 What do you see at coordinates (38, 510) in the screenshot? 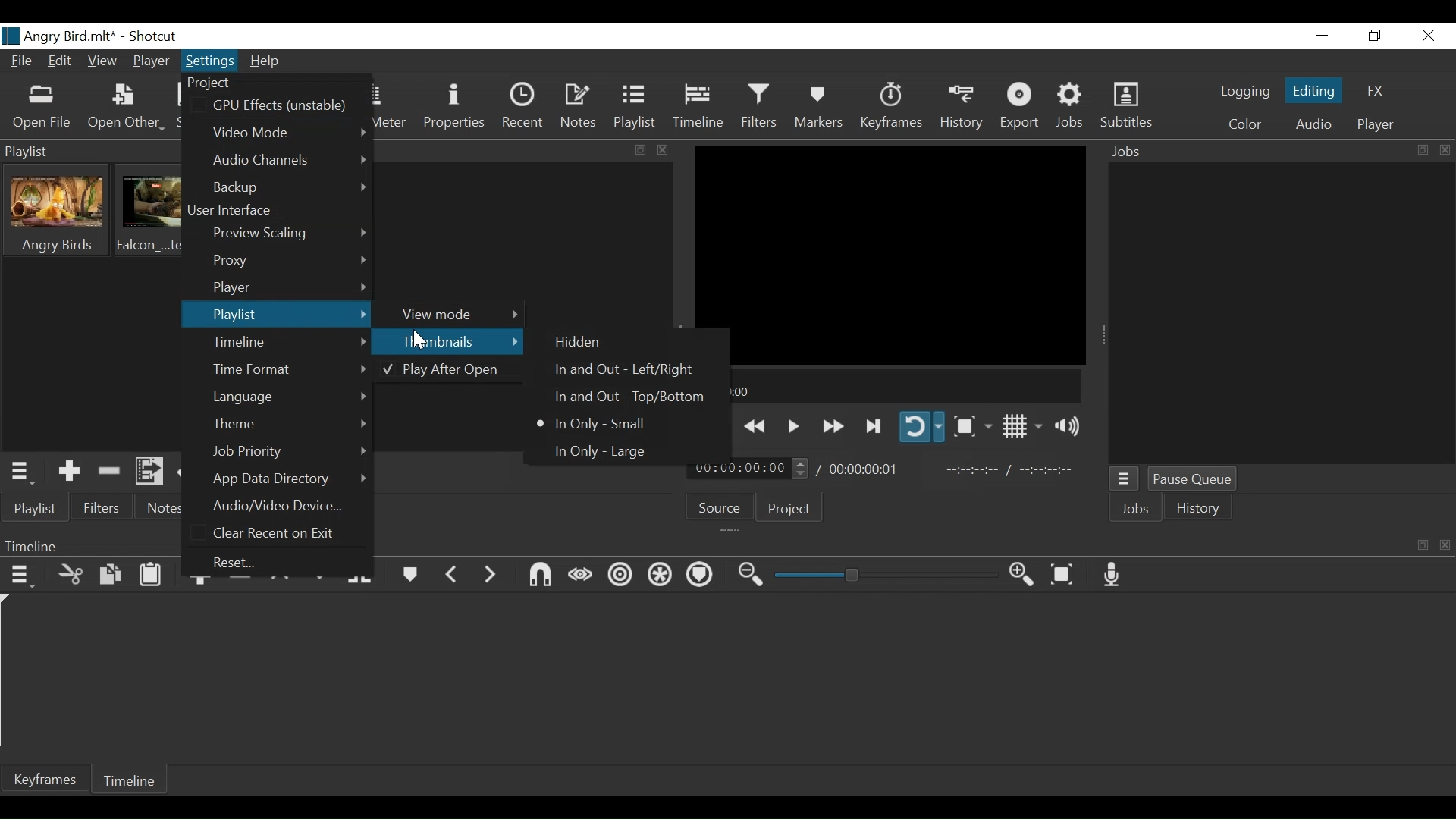
I see `Playlist` at bounding box center [38, 510].